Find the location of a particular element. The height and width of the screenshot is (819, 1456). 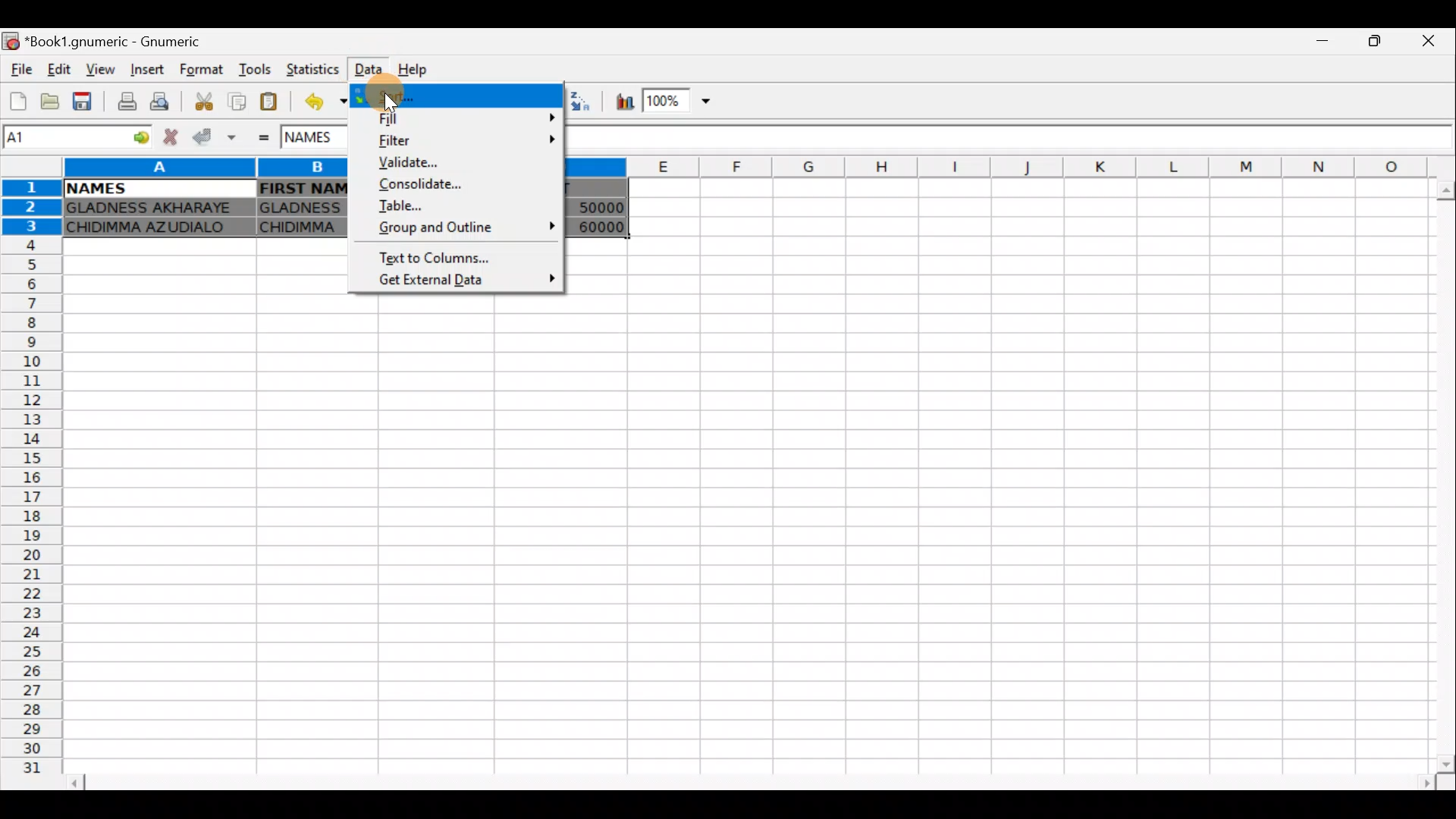

Print current file is located at coordinates (128, 99).